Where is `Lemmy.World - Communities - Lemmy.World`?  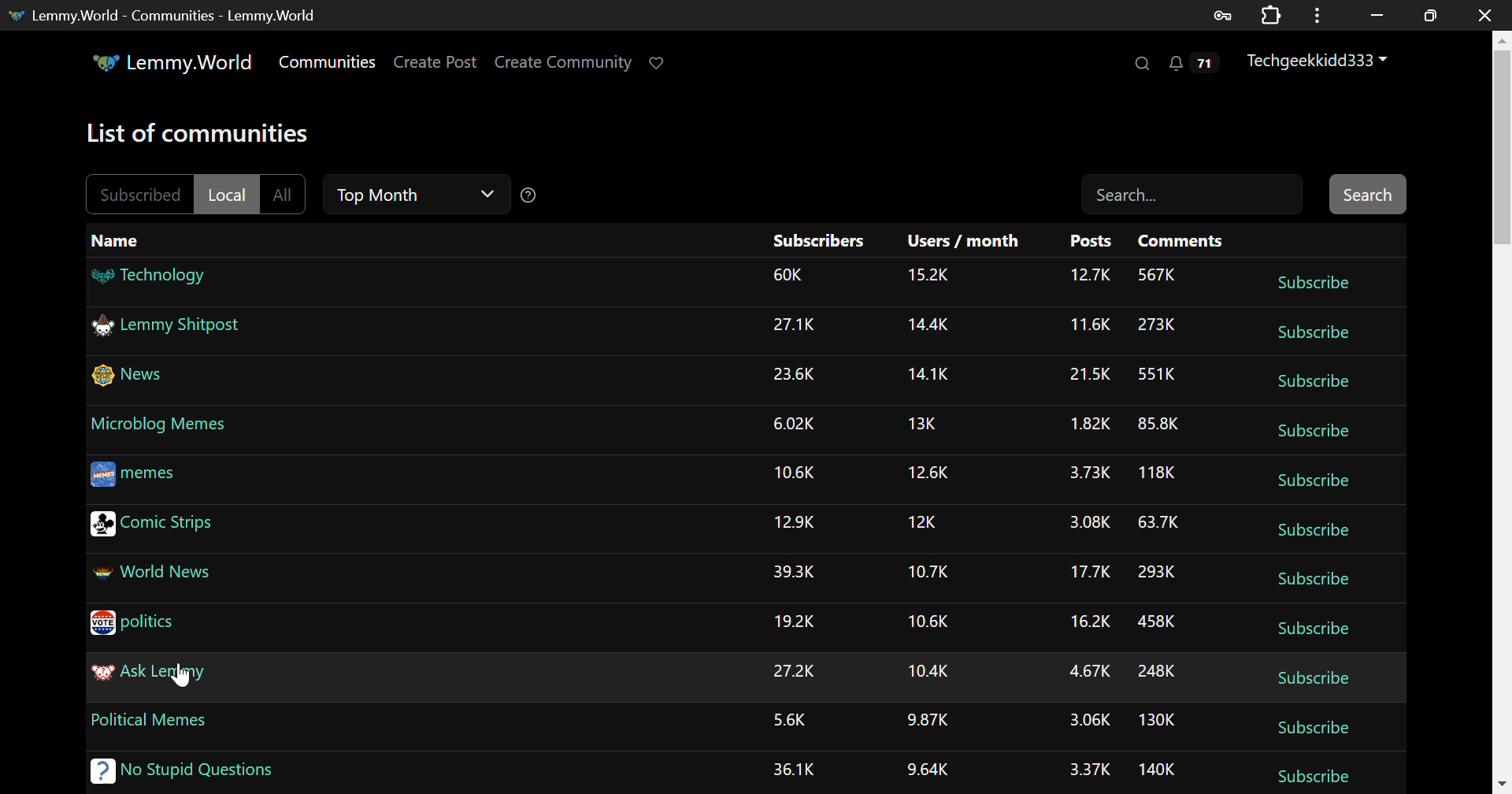 Lemmy.World - Communities - Lemmy.World is located at coordinates (162, 15).